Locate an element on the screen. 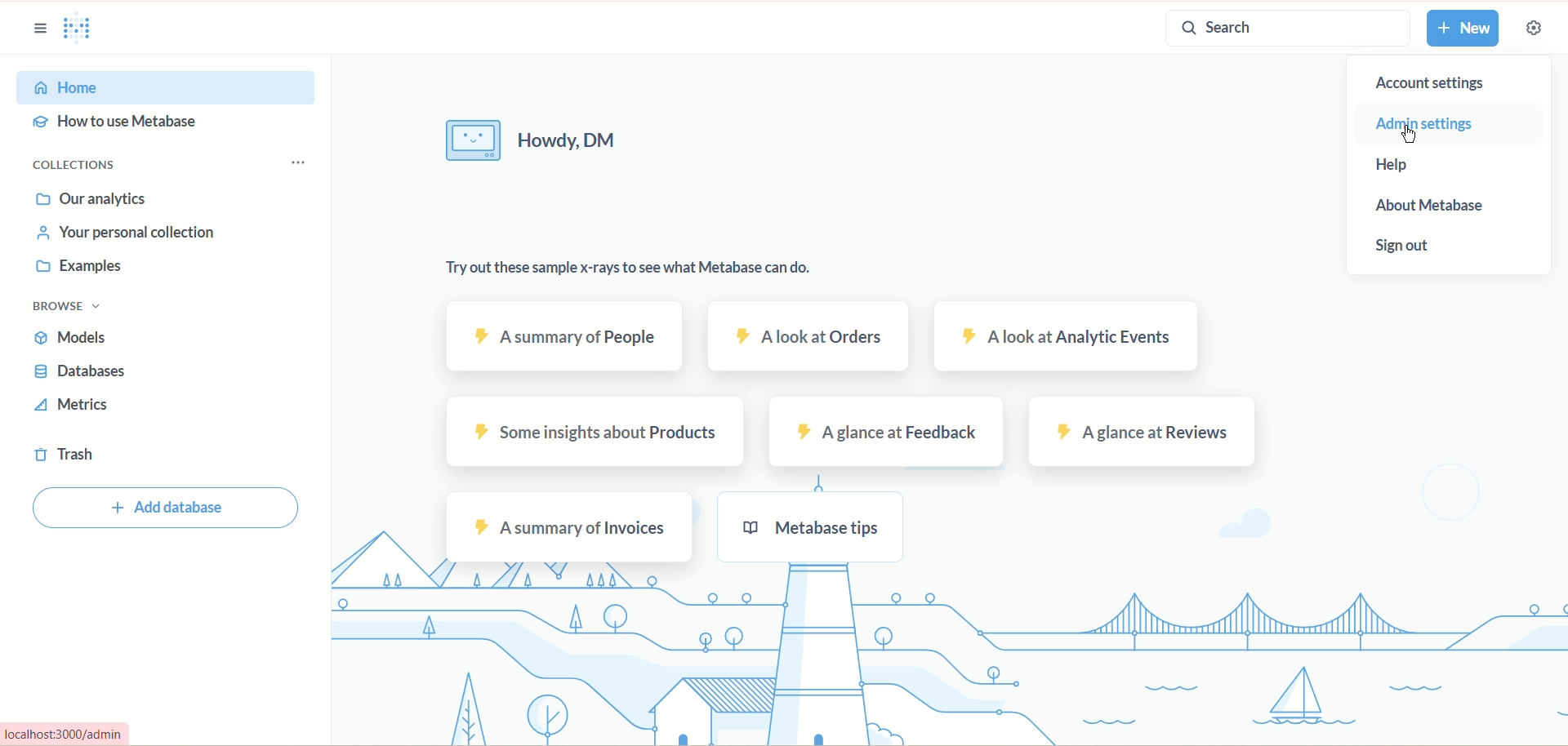 The image size is (1568, 746). admin settings is located at coordinates (1430, 128).